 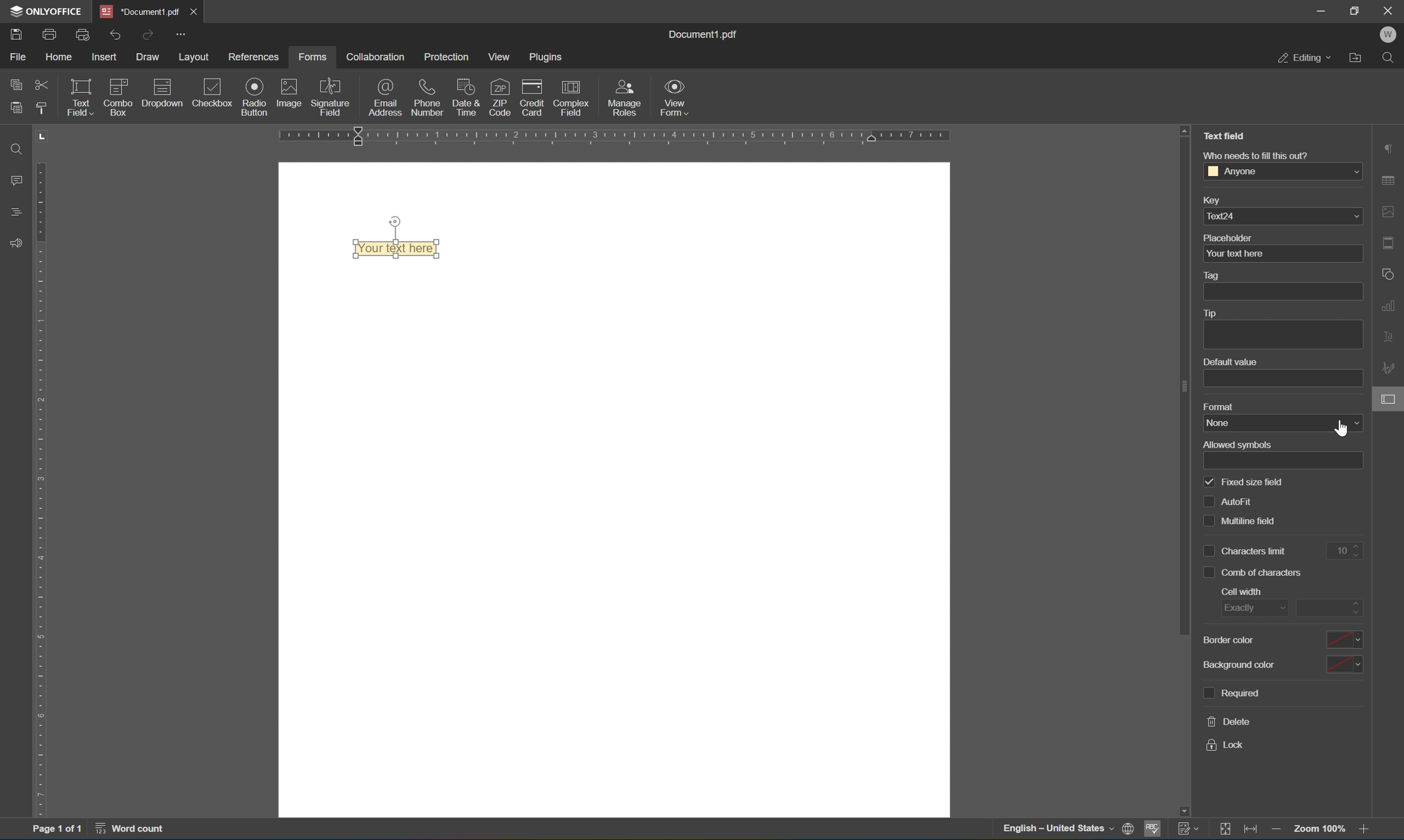 What do you see at coordinates (14, 180) in the screenshot?
I see `comment` at bounding box center [14, 180].